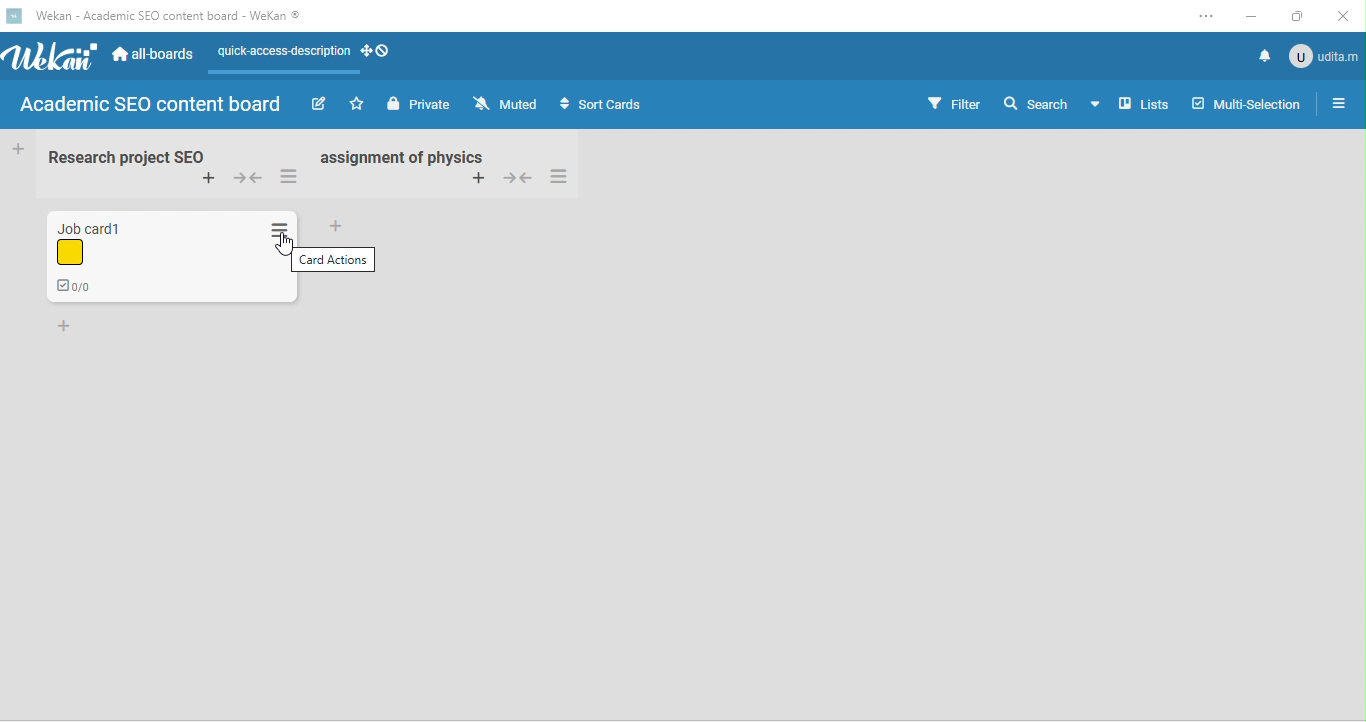 The image size is (1366, 722). I want to click on card actions, so click(337, 259).